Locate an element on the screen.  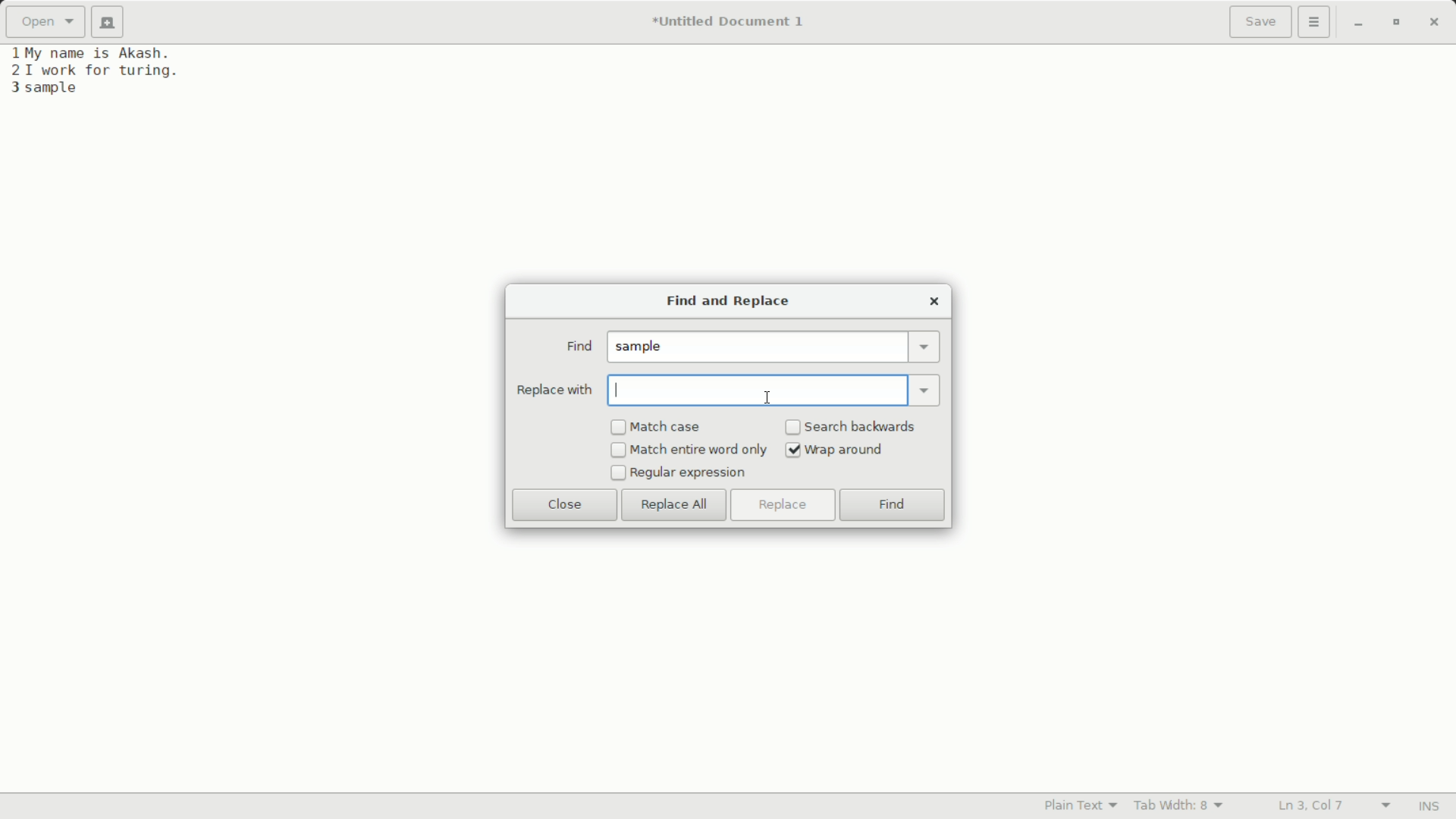
plain text is located at coordinates (1084, 805).